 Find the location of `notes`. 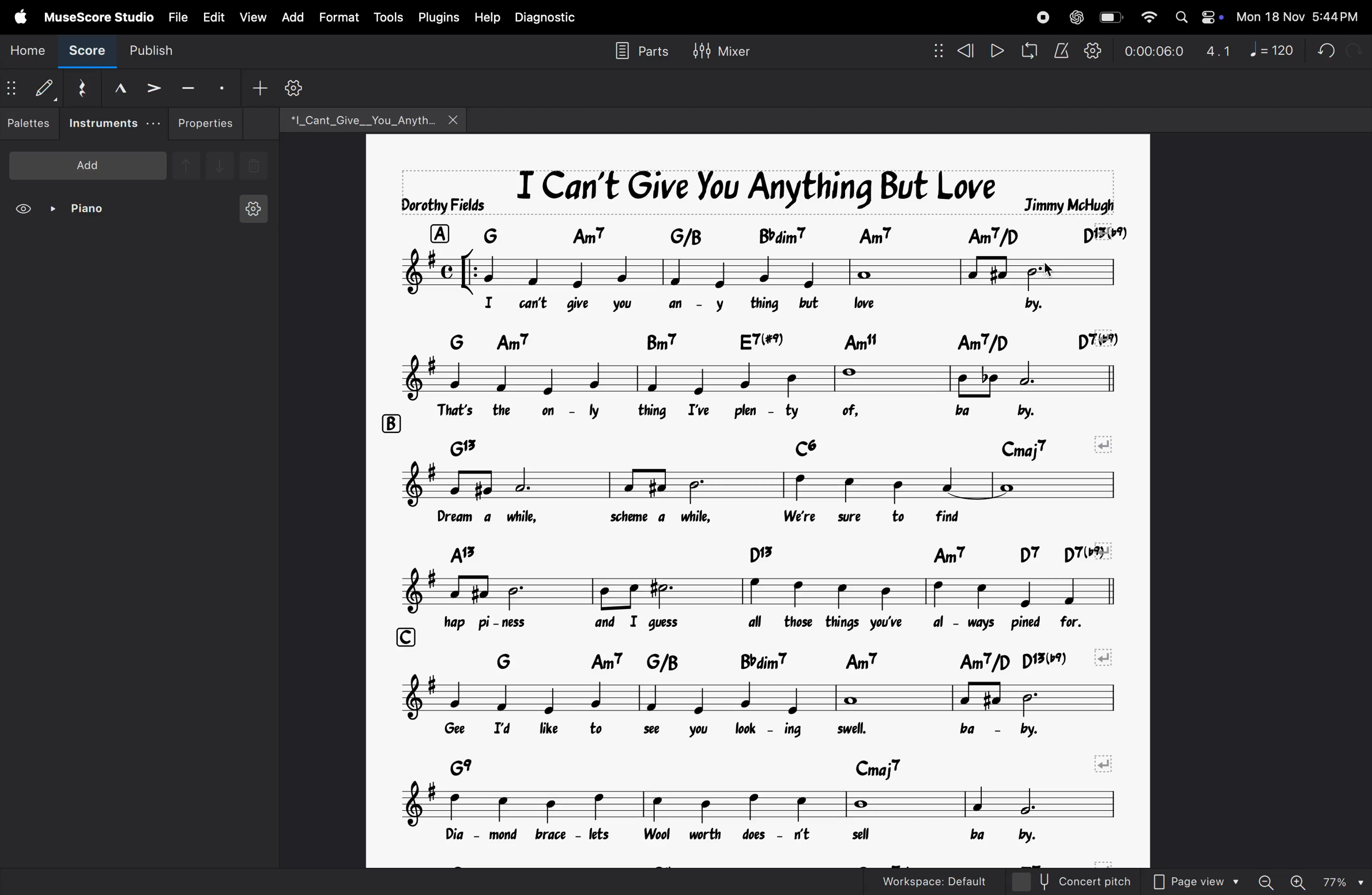

notes is located at coordinates (766, 591).